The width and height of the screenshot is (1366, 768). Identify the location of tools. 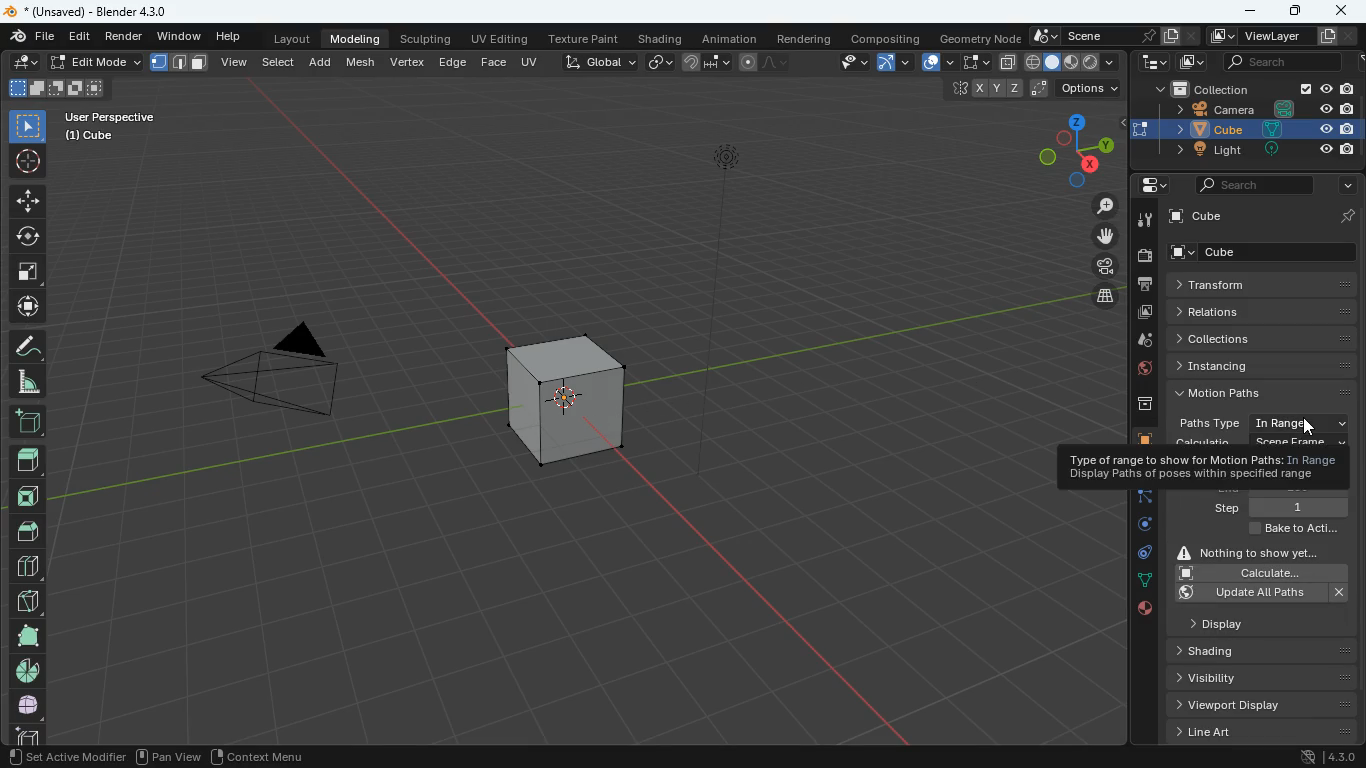
(1142, 221).